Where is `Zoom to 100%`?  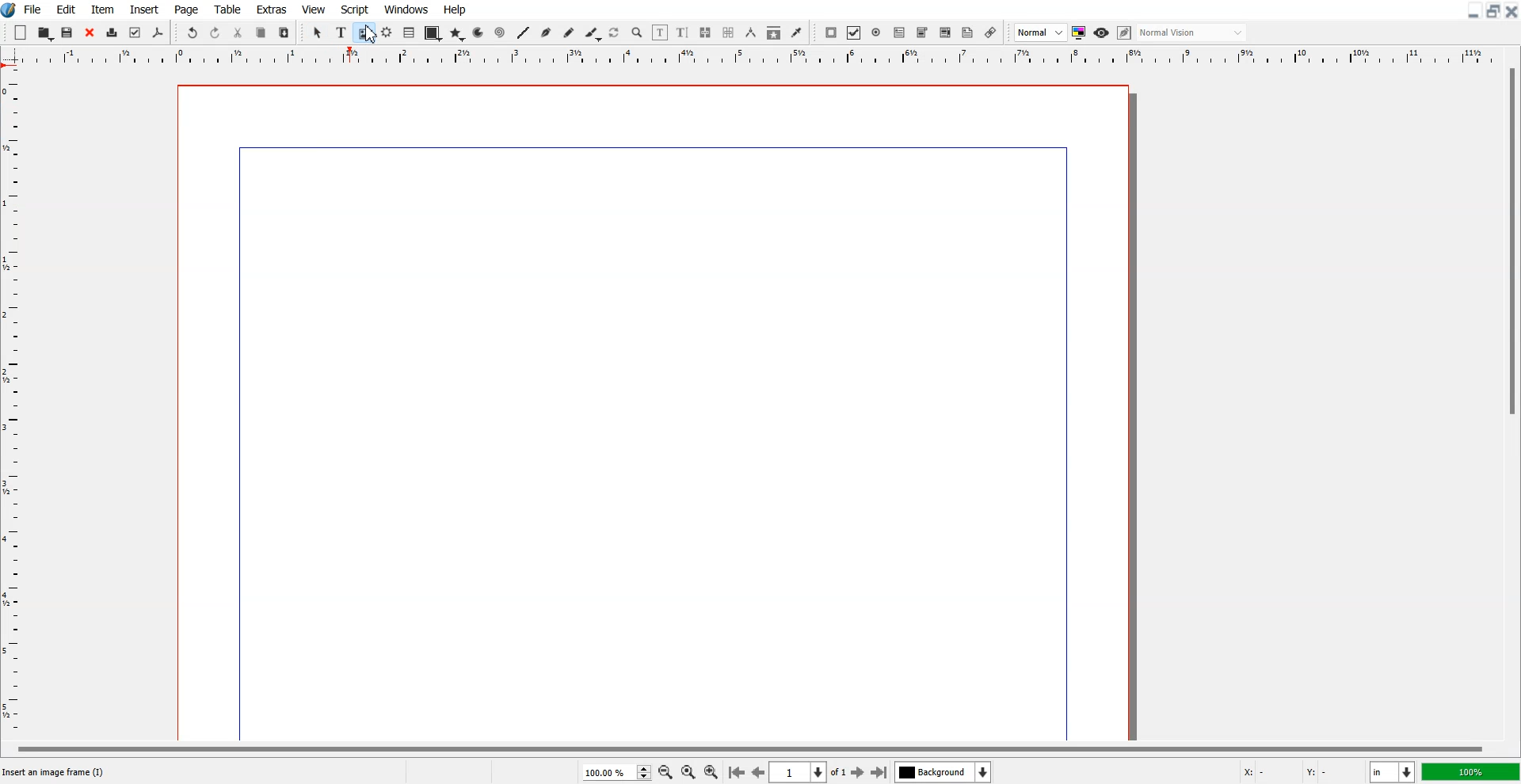 Zoom to 100% is located at coordinates (688, 771).